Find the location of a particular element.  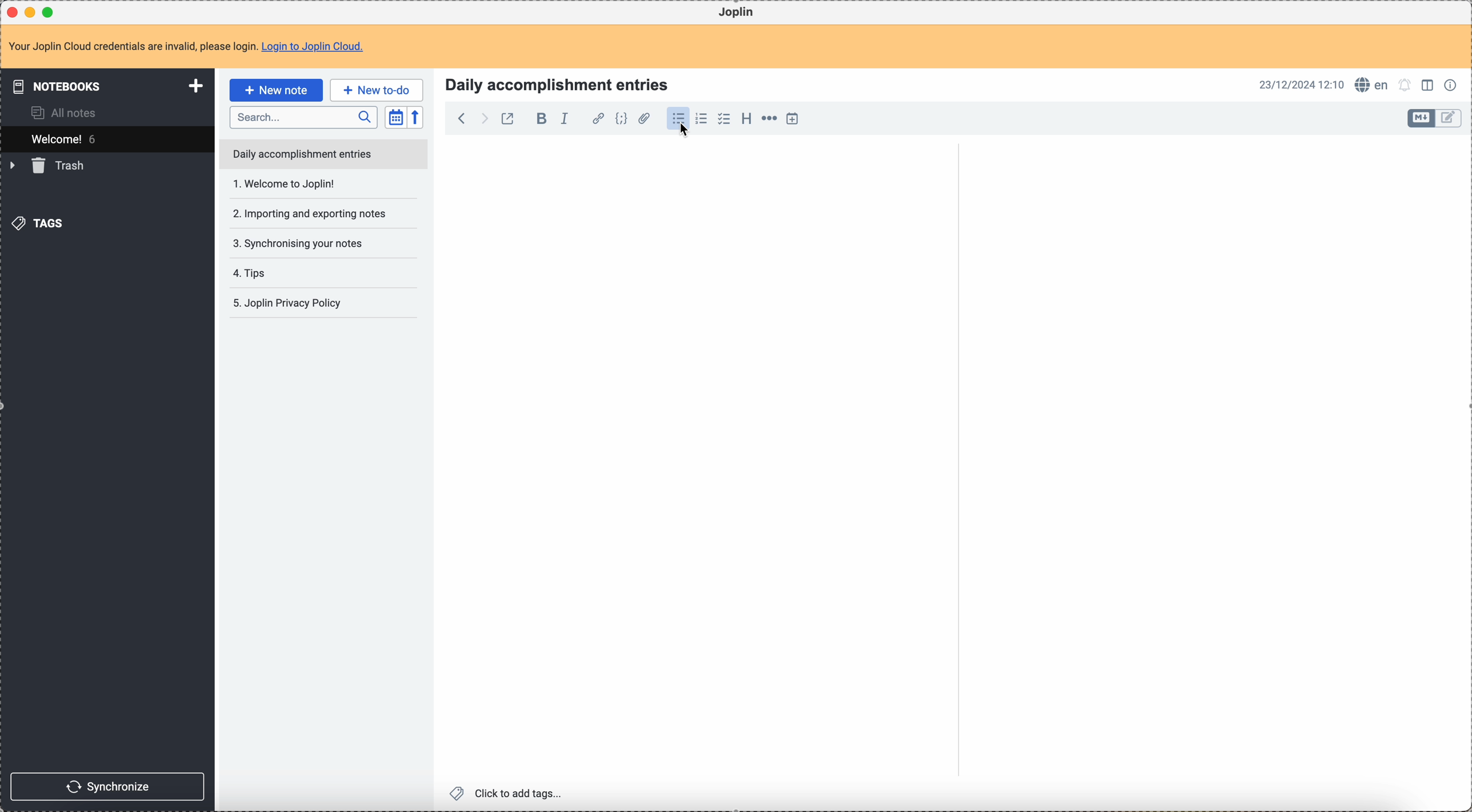

checkbox is located at coordinates (725, 119).